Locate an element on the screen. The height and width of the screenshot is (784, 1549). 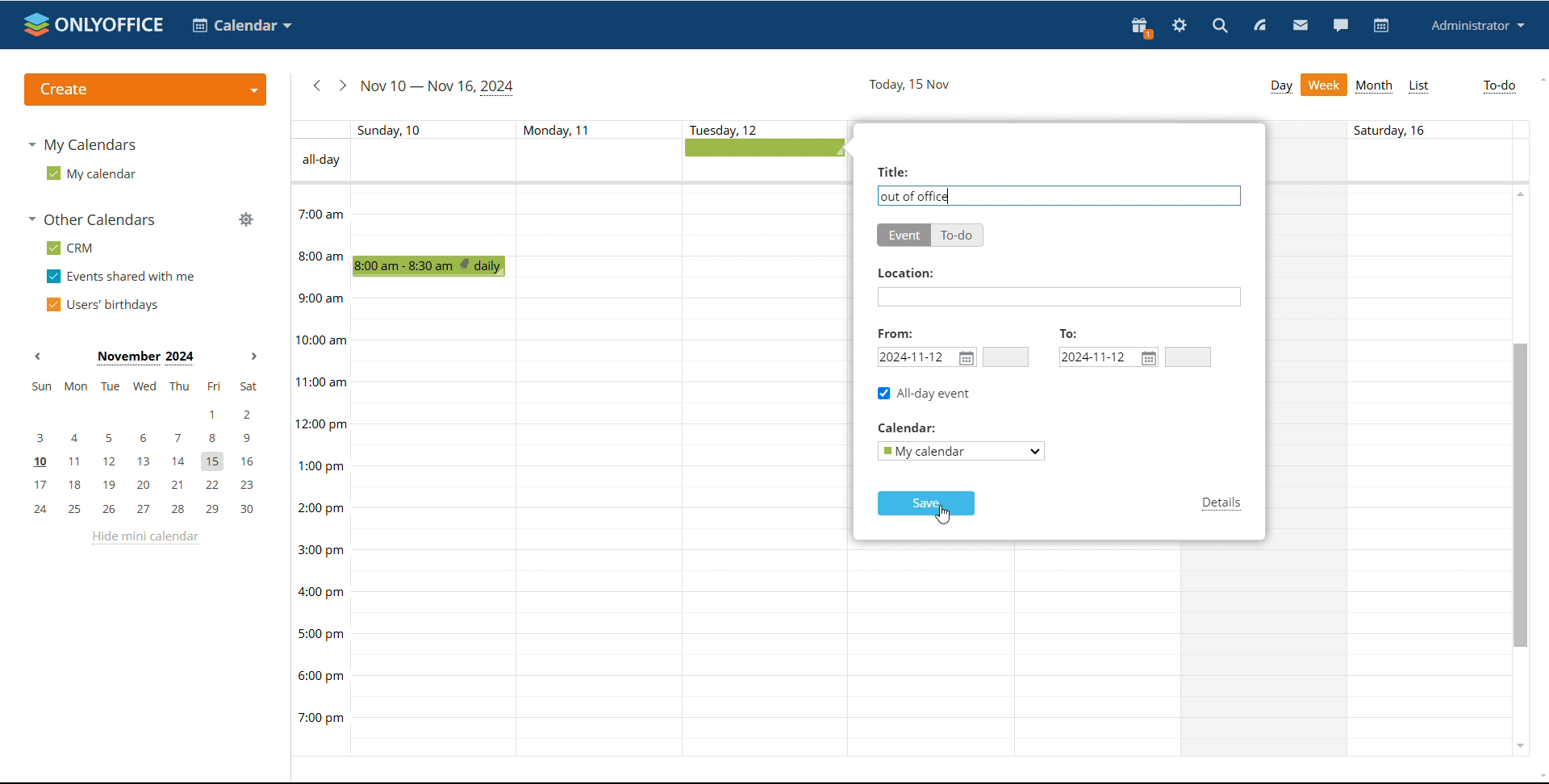
settings is located at coordinates (1179, 25).